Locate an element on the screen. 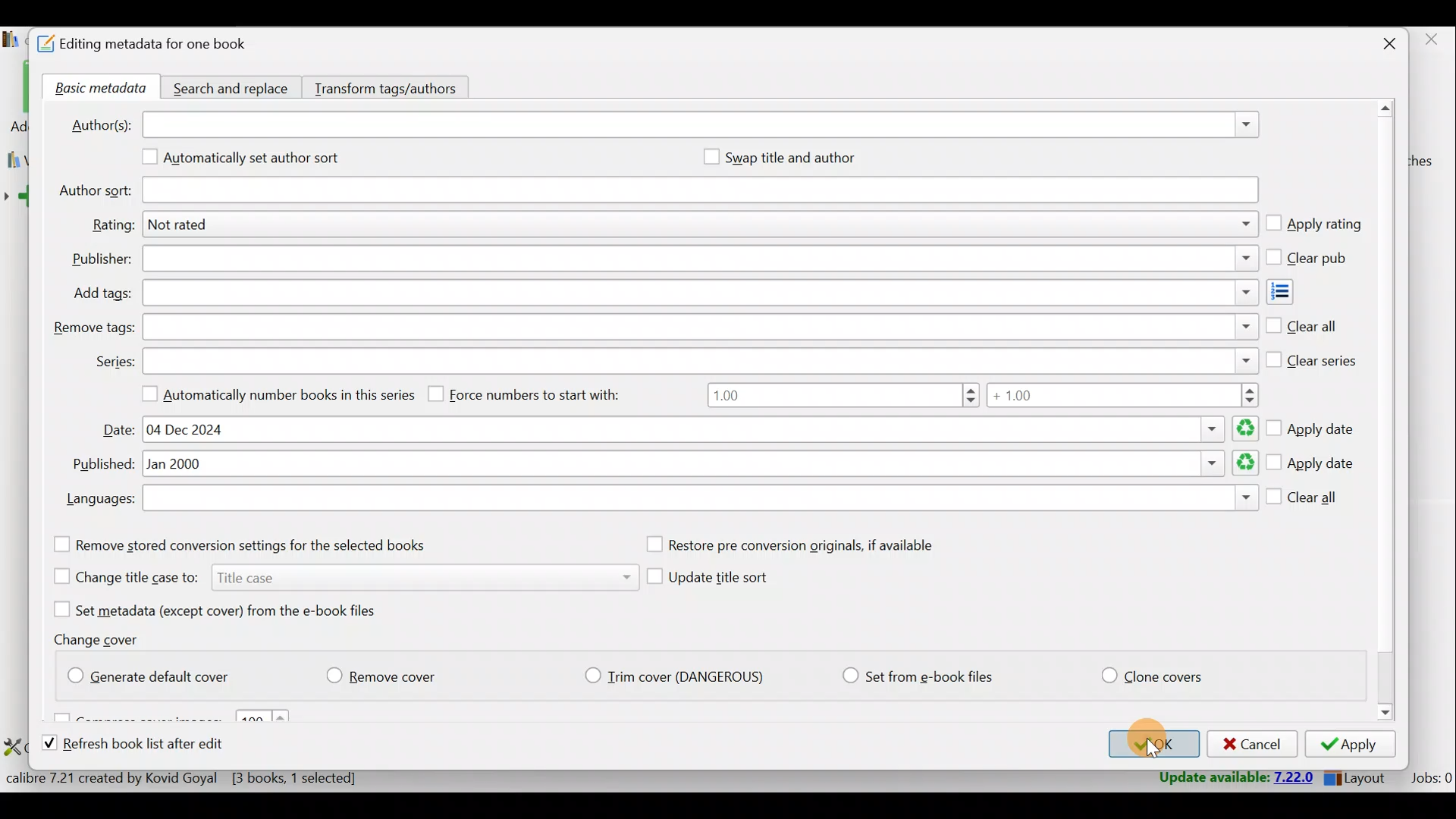  Add tags: is located at coordinates (102, 293).